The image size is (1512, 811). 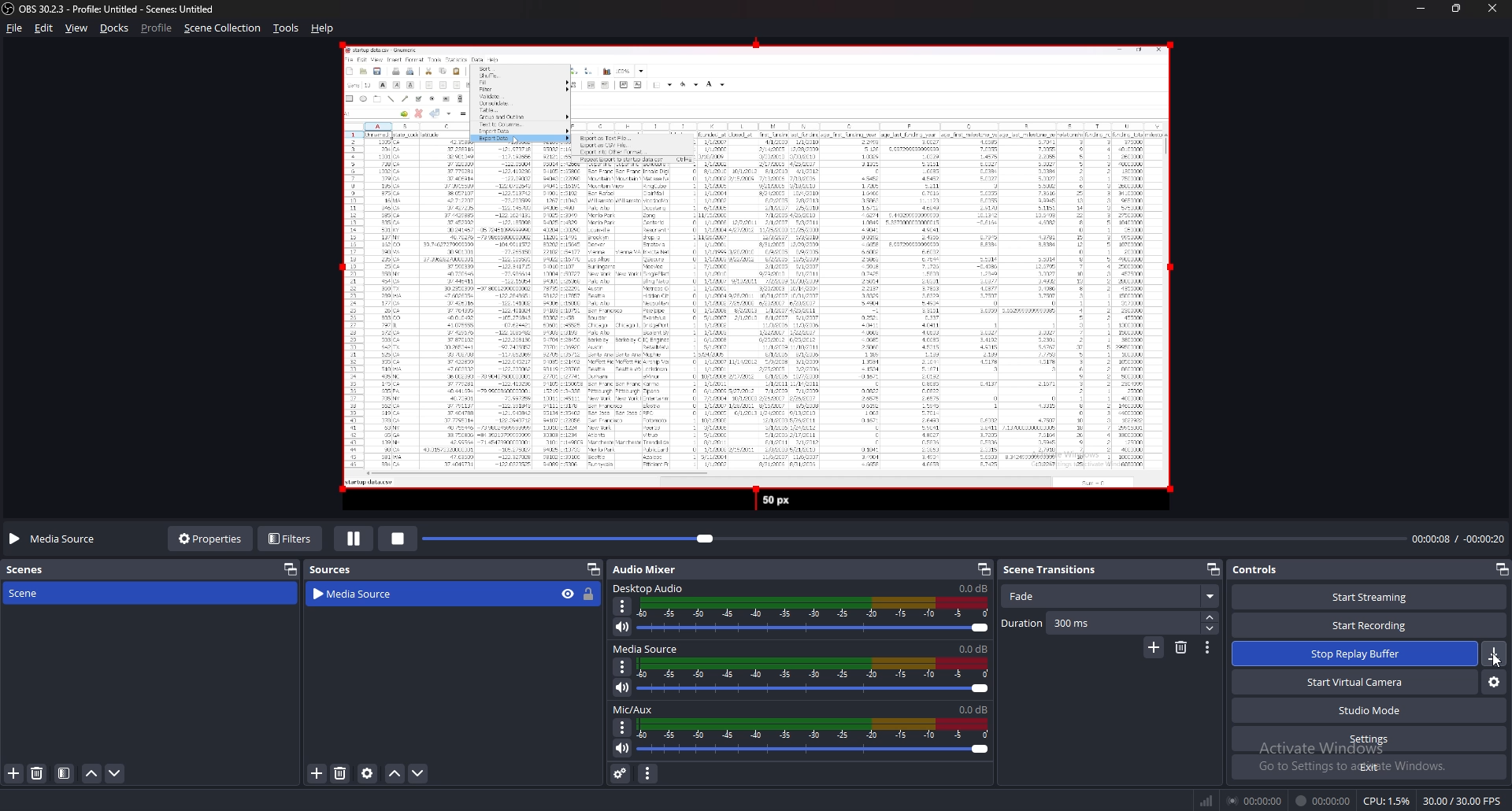 What do you see at coordinates (645, 569) in the screenshot?
I see `audio mixer` at bounding box center [645, 569].